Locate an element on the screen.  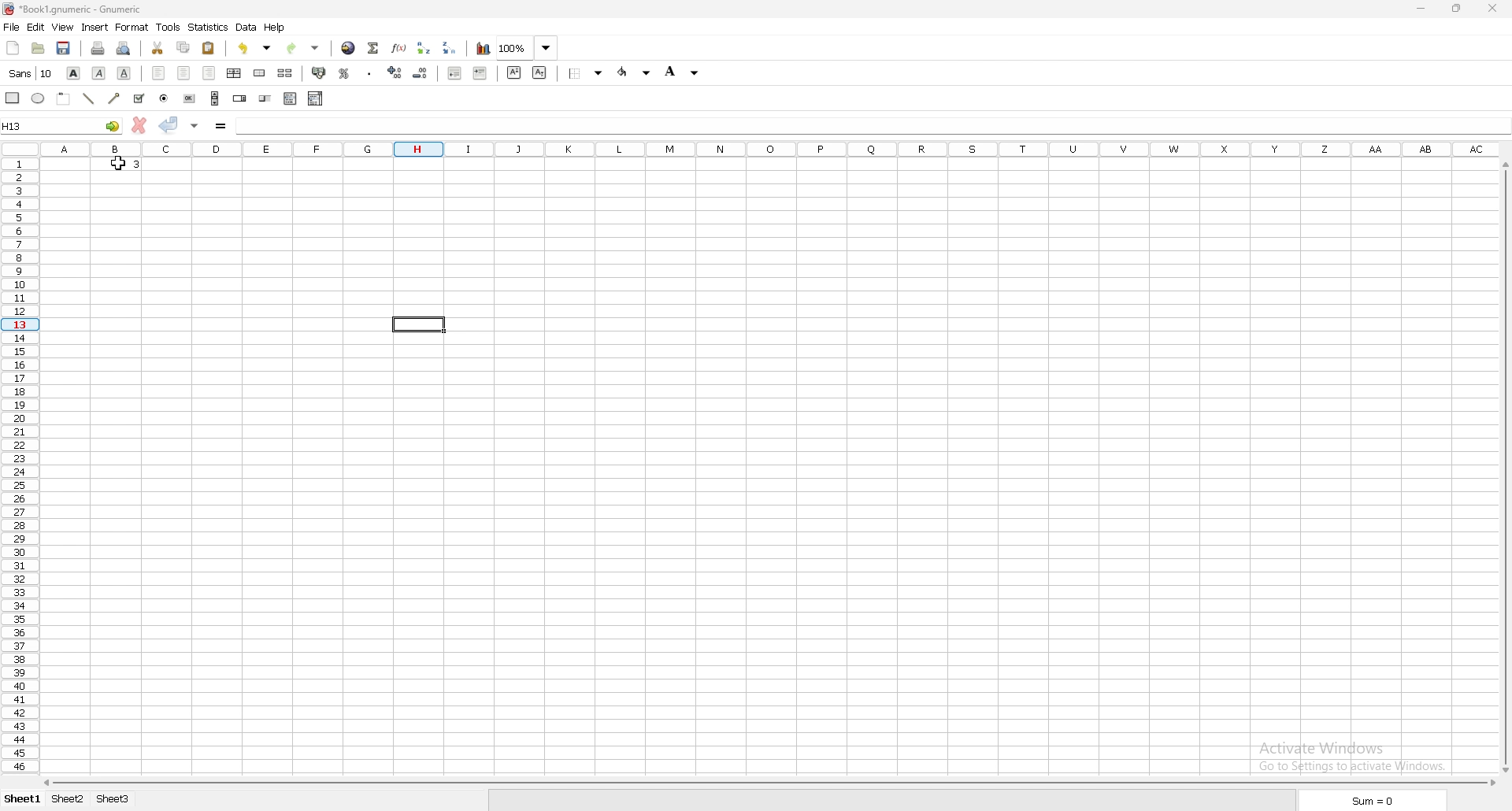
sort ascending is located at coordinates (424, 48).